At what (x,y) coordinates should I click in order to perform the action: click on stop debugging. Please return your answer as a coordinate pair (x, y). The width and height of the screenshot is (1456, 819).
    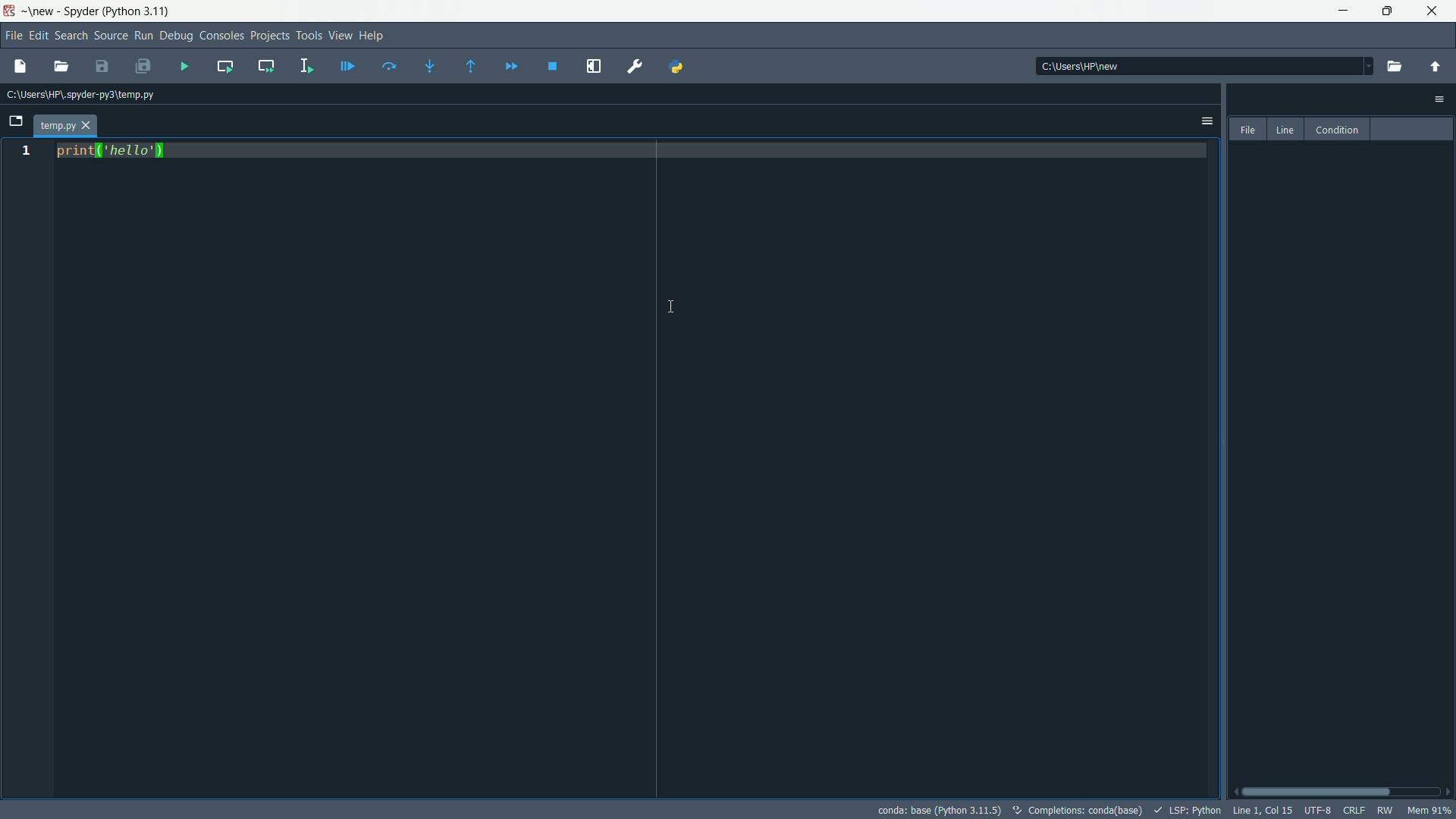
    Looking at the image, I should click on (553, 66).